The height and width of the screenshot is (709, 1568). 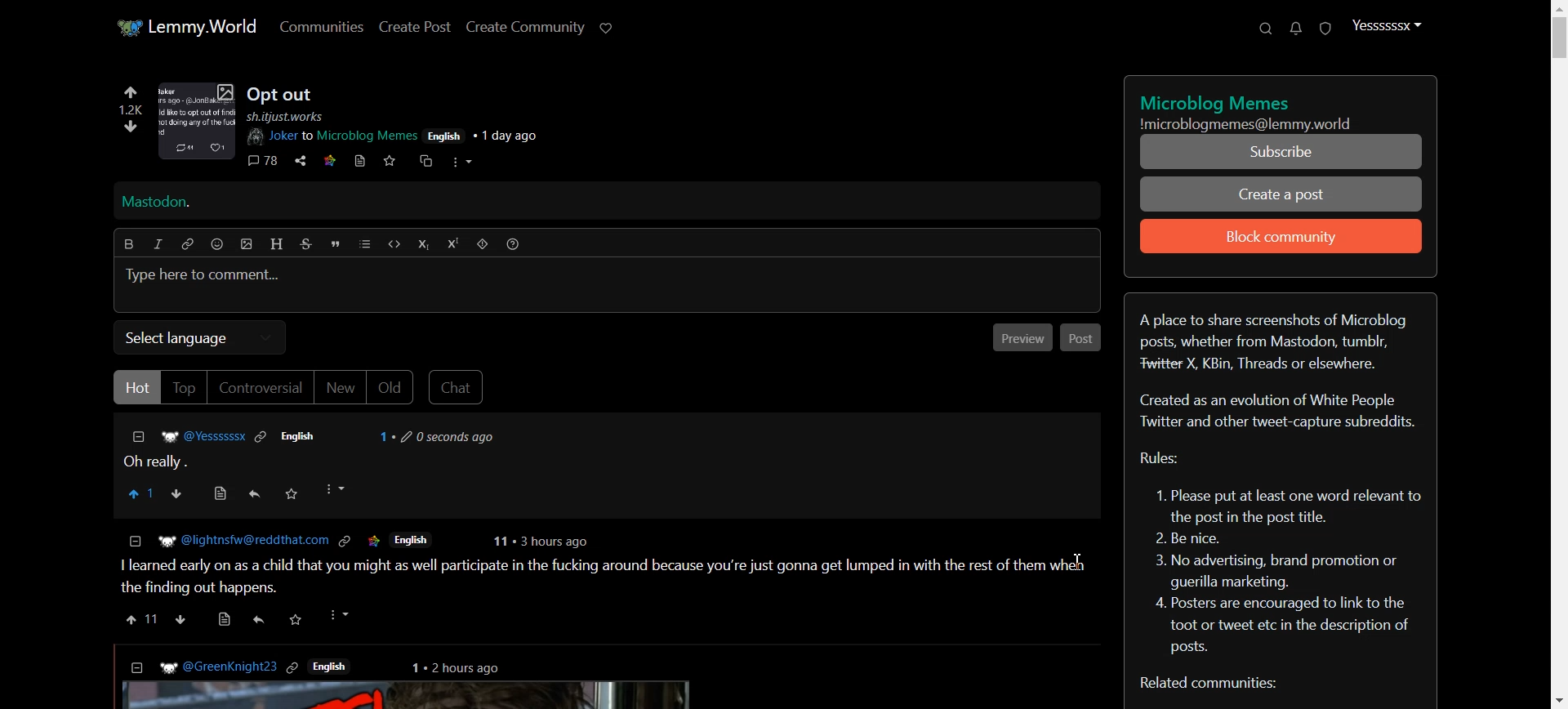 I want to click on Typing window, so click(x=606, y=286).